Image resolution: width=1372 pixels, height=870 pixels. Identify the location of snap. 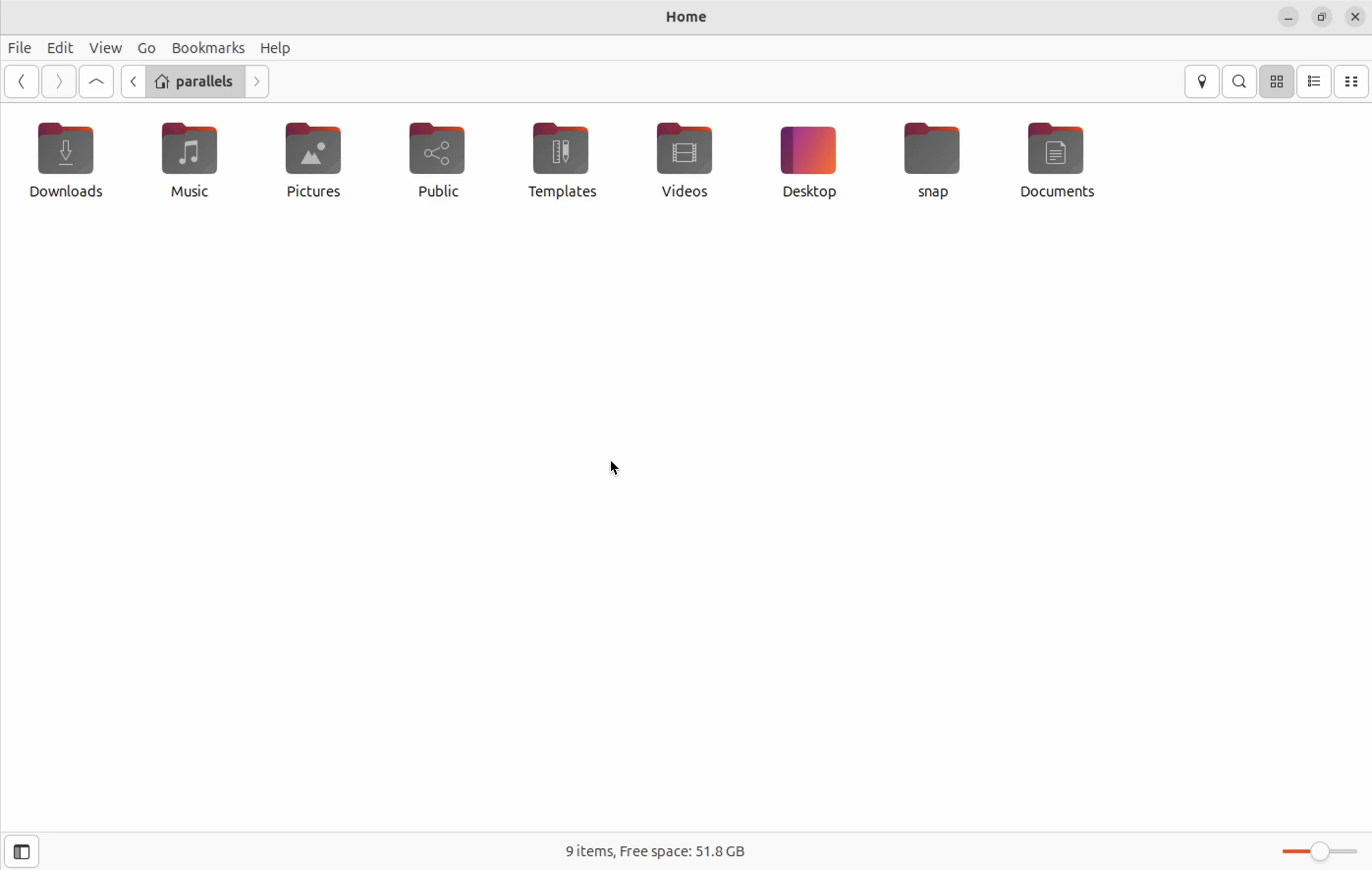
(930, 159).